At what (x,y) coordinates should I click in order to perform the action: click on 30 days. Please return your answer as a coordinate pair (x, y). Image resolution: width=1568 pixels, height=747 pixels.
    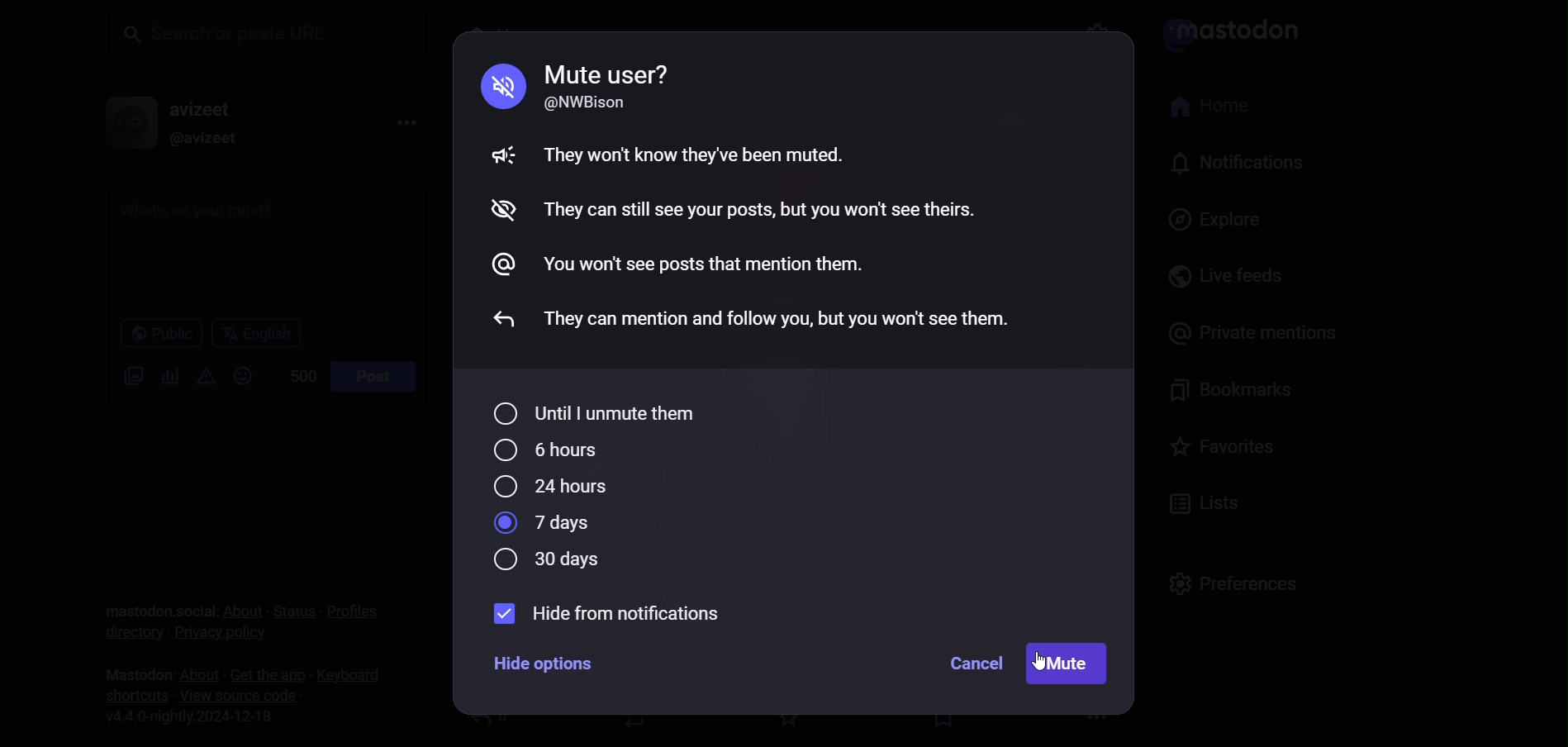
    Looking at the image, I should click on (549, 563).